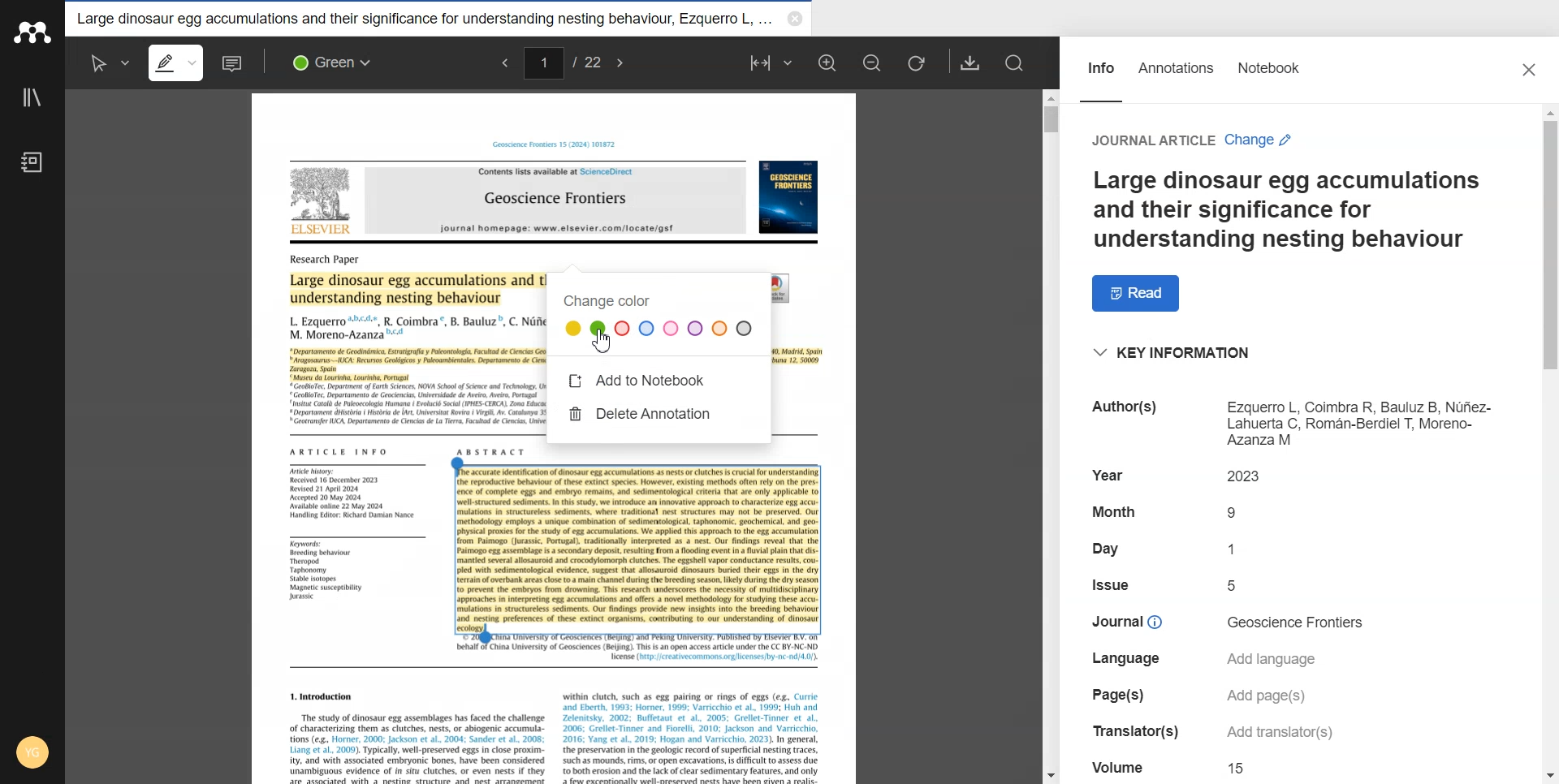 The image size is (1559, 784). Describe the element at coordinates (1111, 584) in the screenshot. I see `text` at that location.